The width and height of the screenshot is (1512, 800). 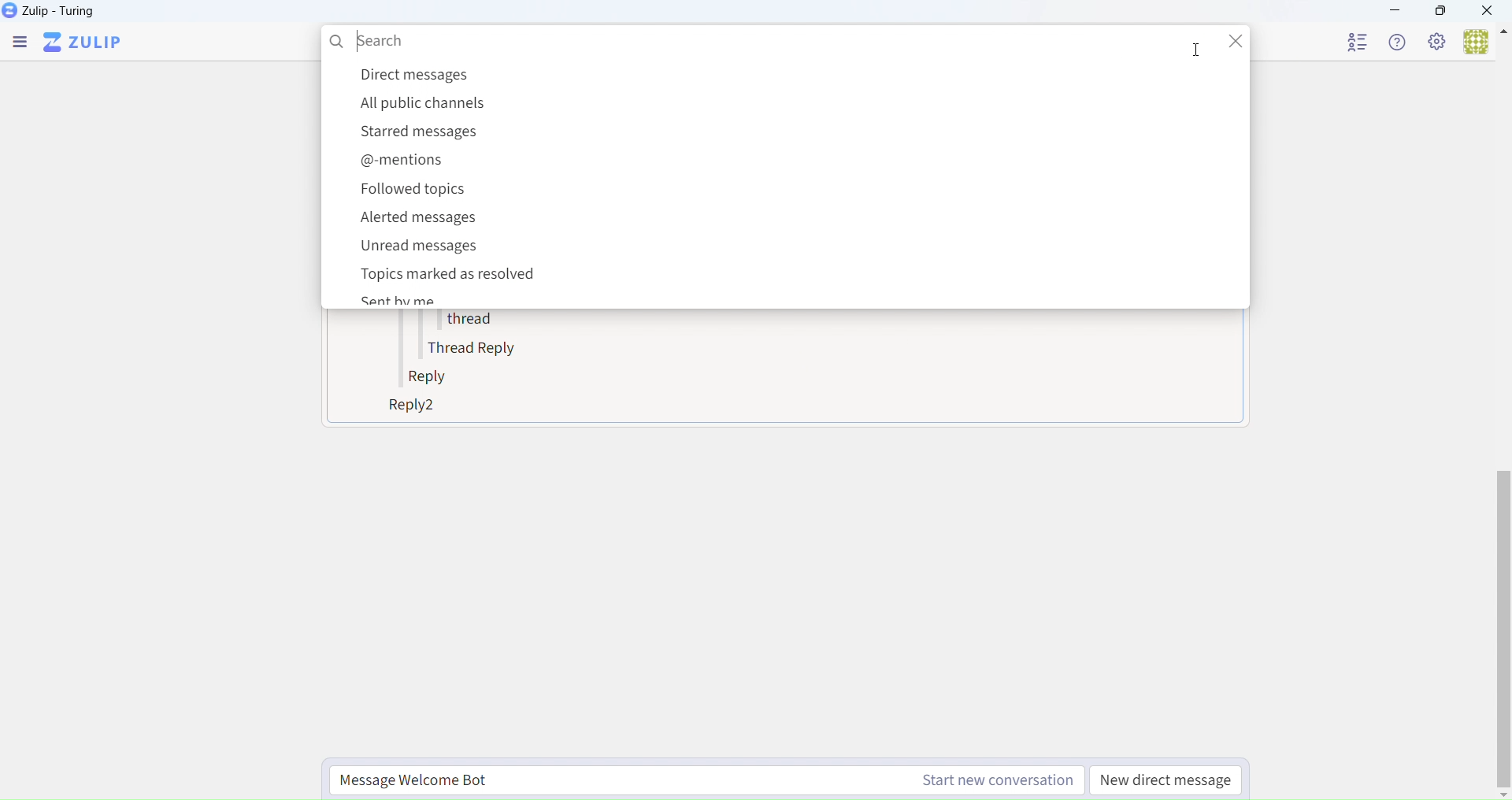 I want to click on Close, so click(x=1229, y=41).